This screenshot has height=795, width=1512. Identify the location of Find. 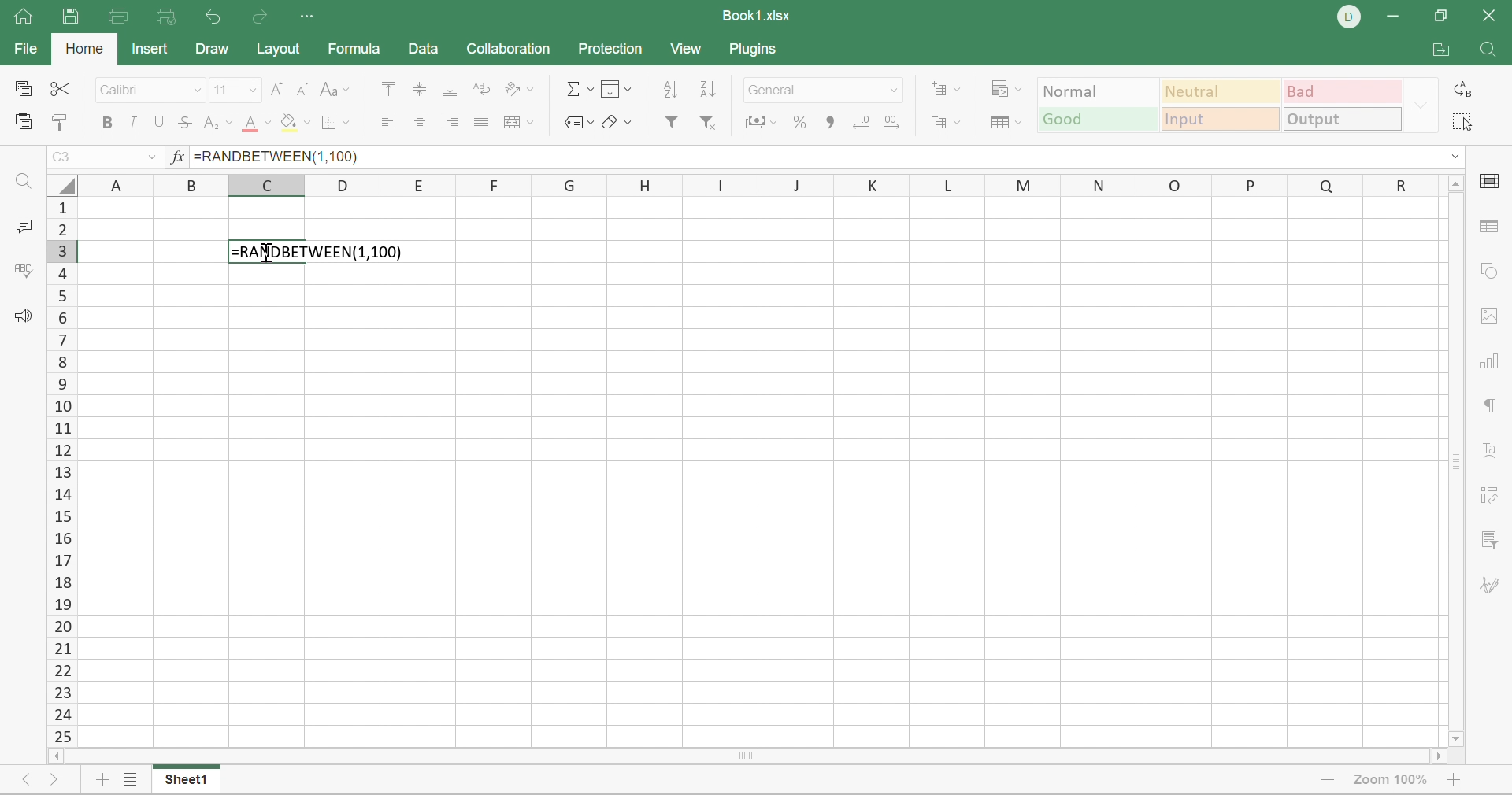
(20, 184).